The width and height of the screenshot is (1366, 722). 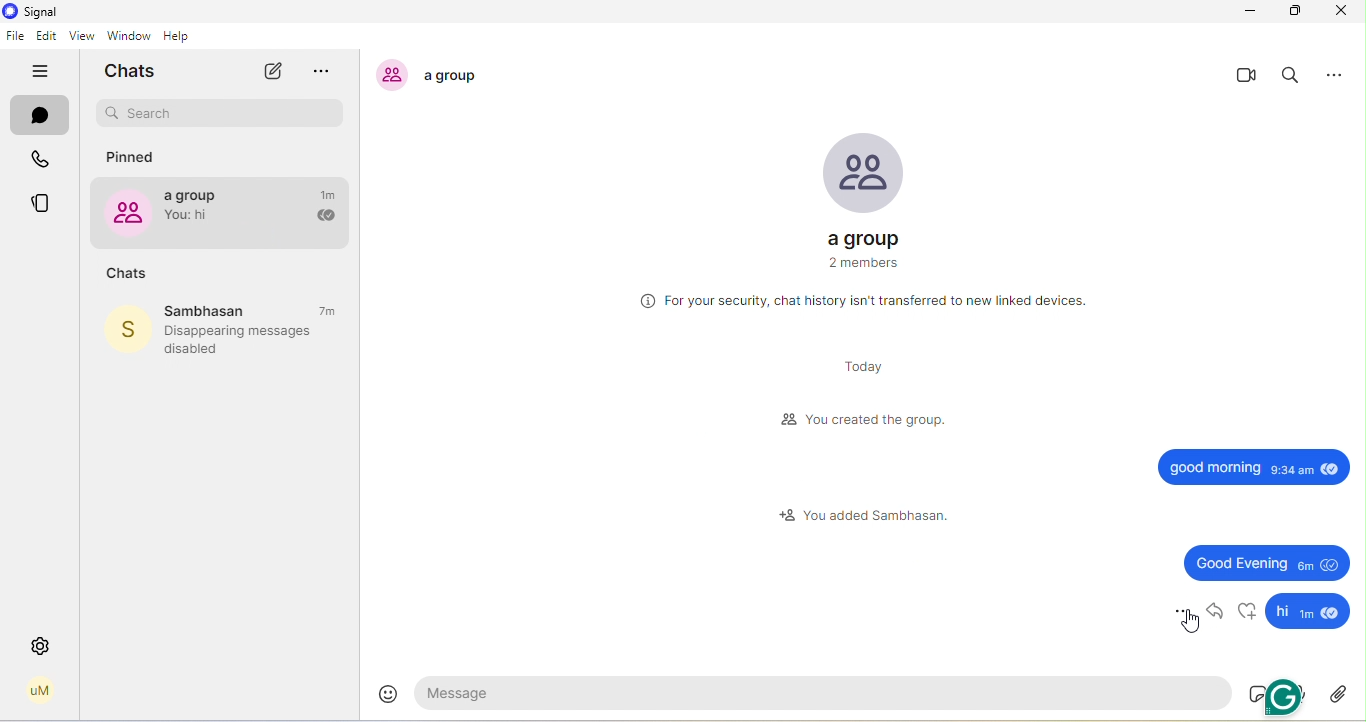 What do you see at coordinates (1340, 73) in the screenshot?
I see `options` at bounding box center [1340, 73].